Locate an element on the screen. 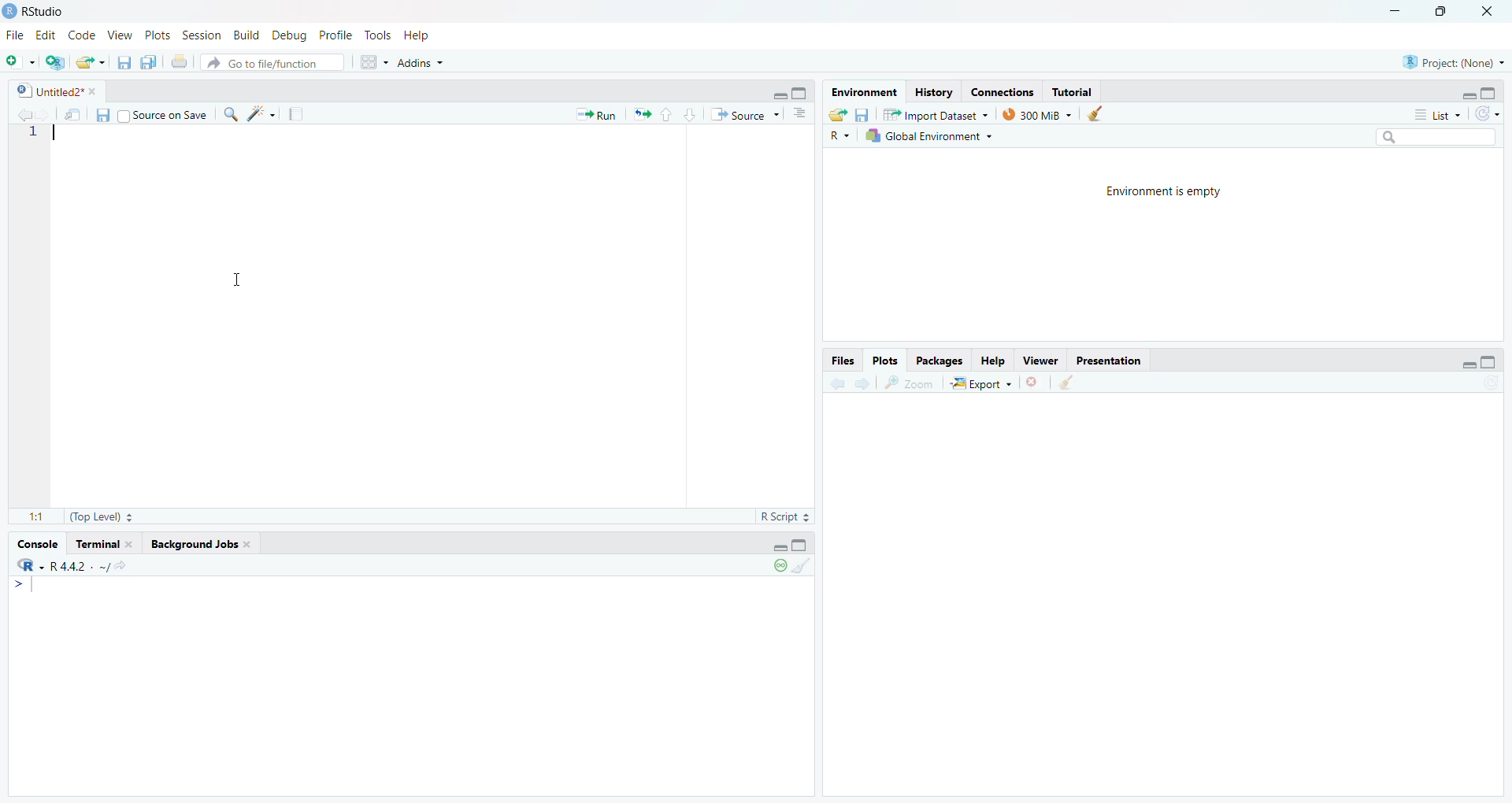  hide console is located at coordinates (804, 546).